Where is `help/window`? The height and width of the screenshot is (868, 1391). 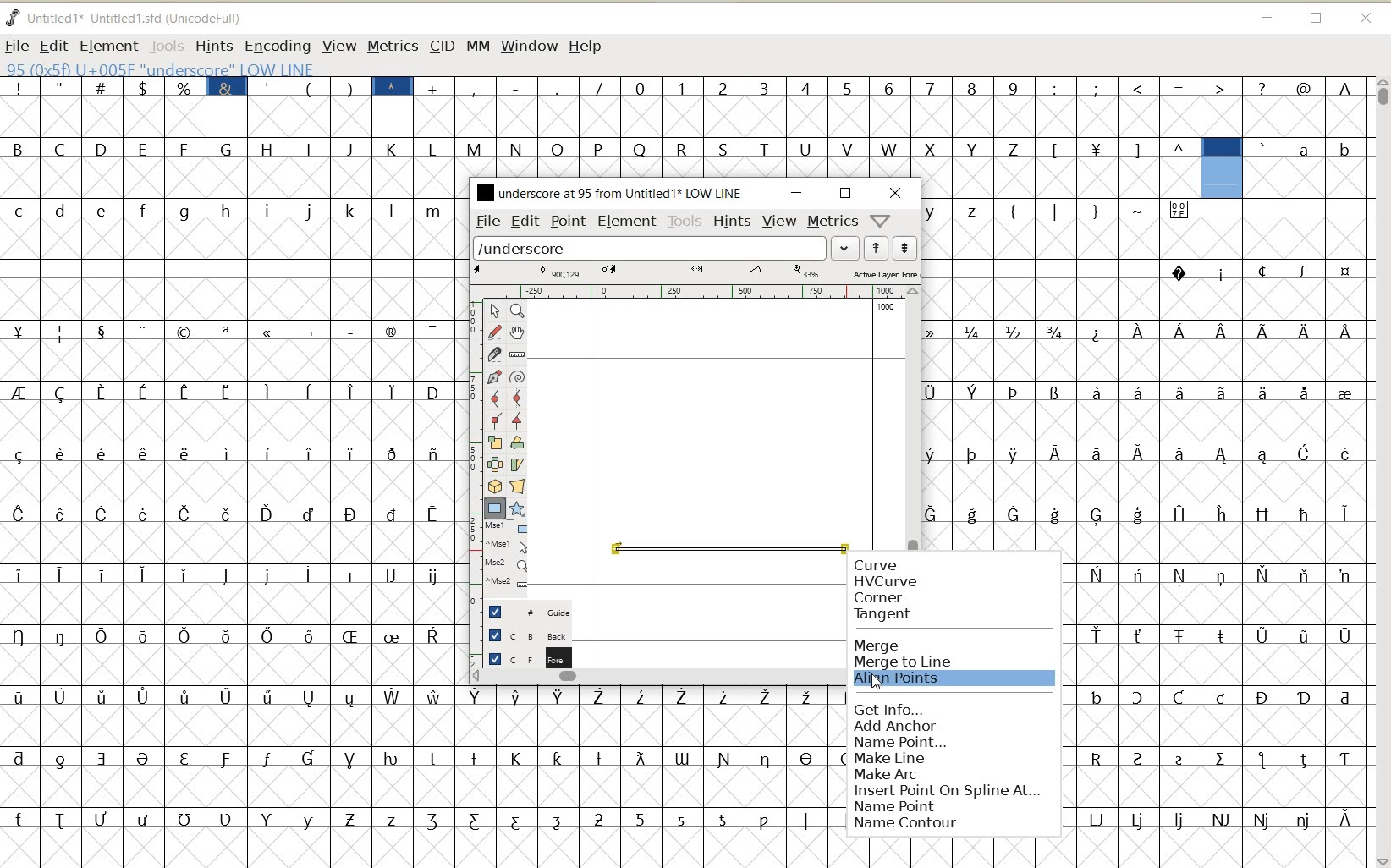 help/window is located at coordinates (879, 221).